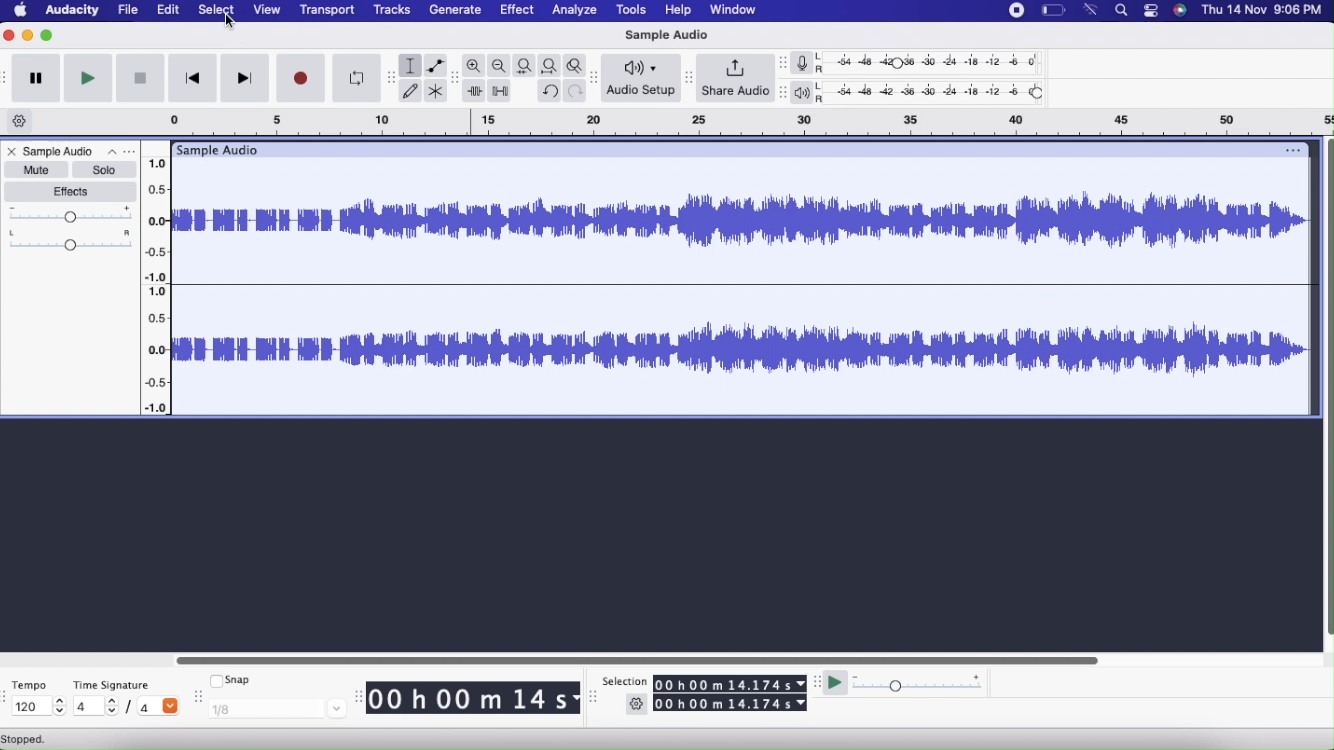 The height and width of the screenshot is (750, 1334). I want to click on 1/8, so click(277, 712).